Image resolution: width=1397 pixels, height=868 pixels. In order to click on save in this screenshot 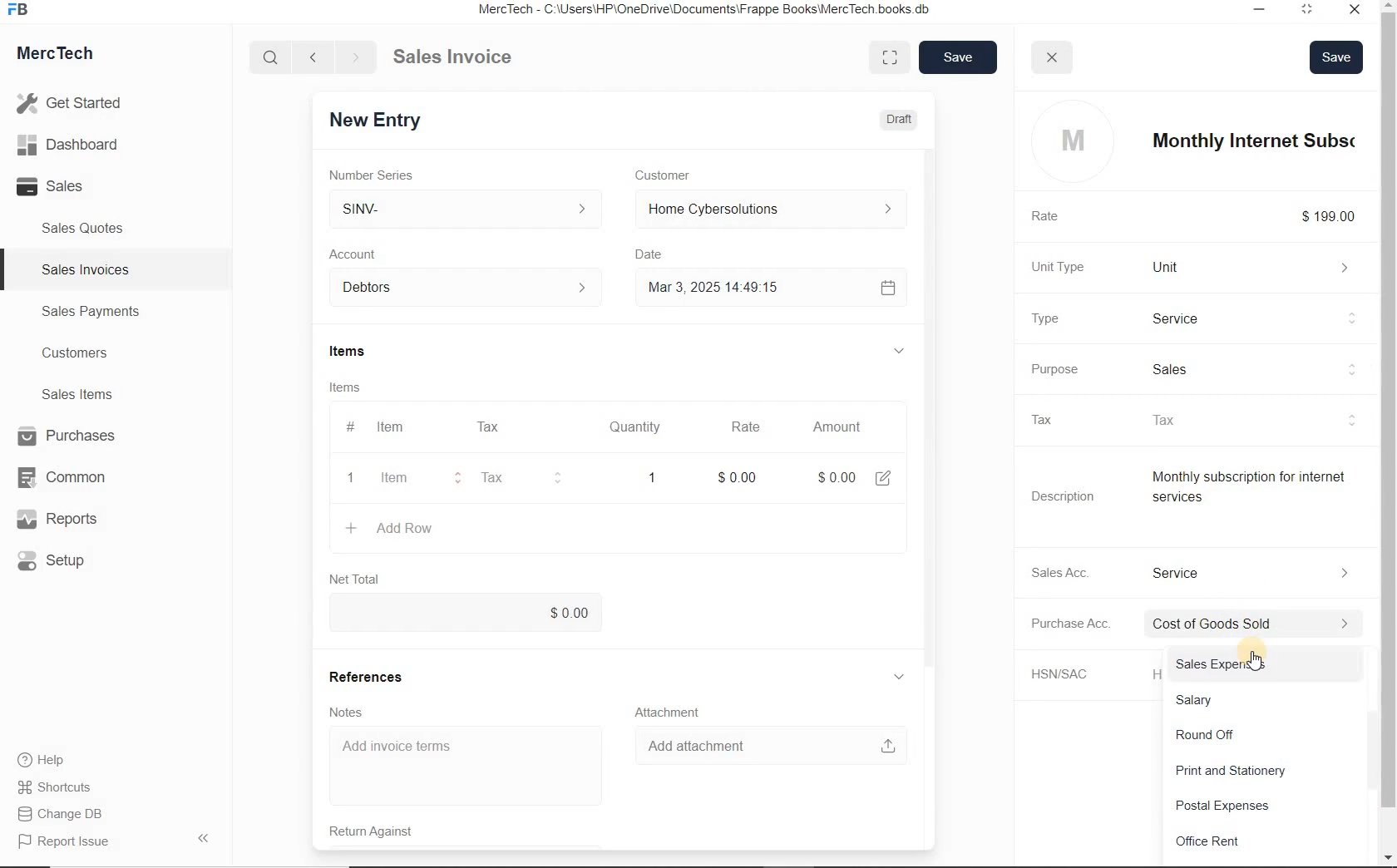, I will do `click(955, 58)`.